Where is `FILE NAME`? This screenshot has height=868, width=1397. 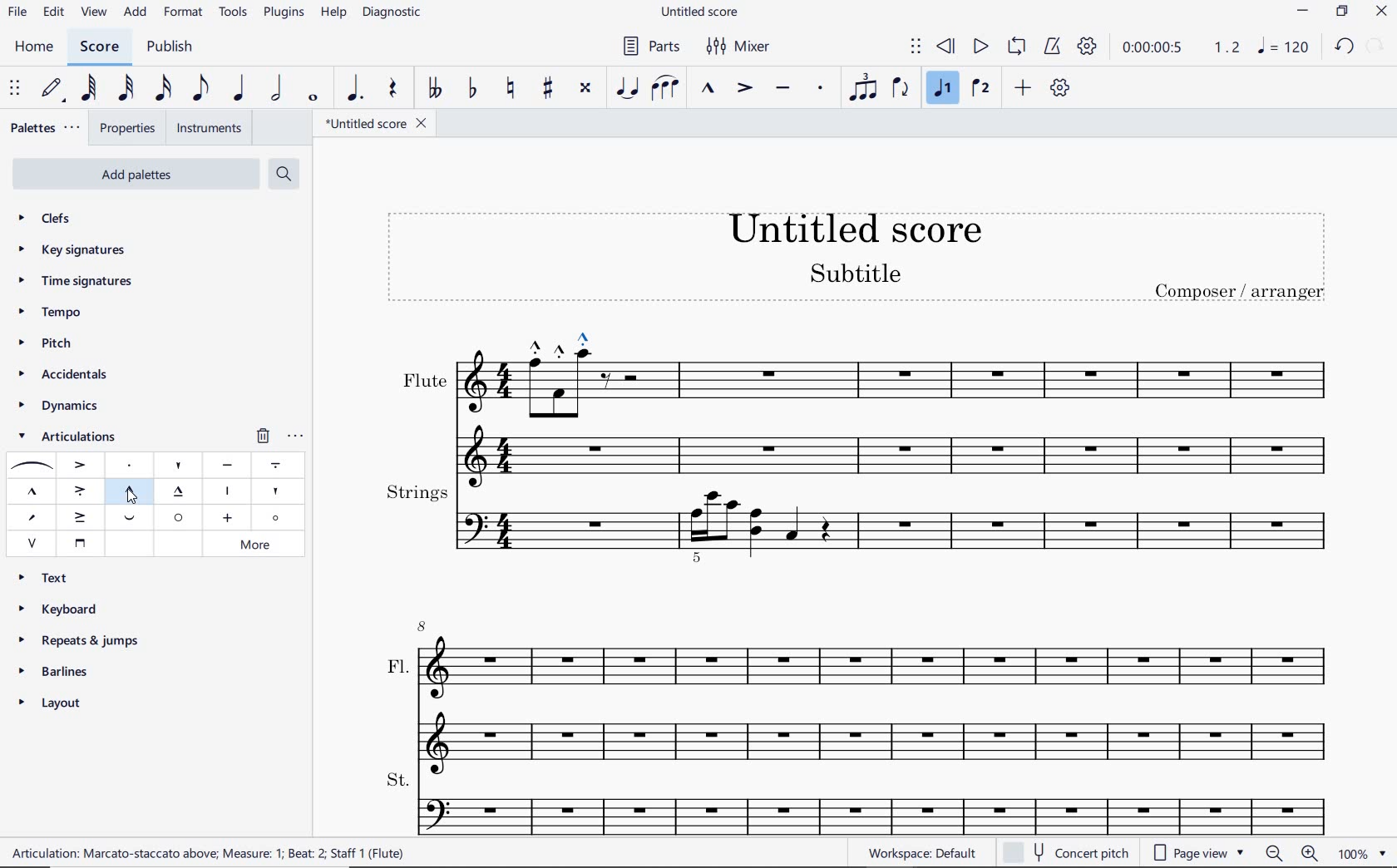 FILE NAME is located at coordinates (380, 123).